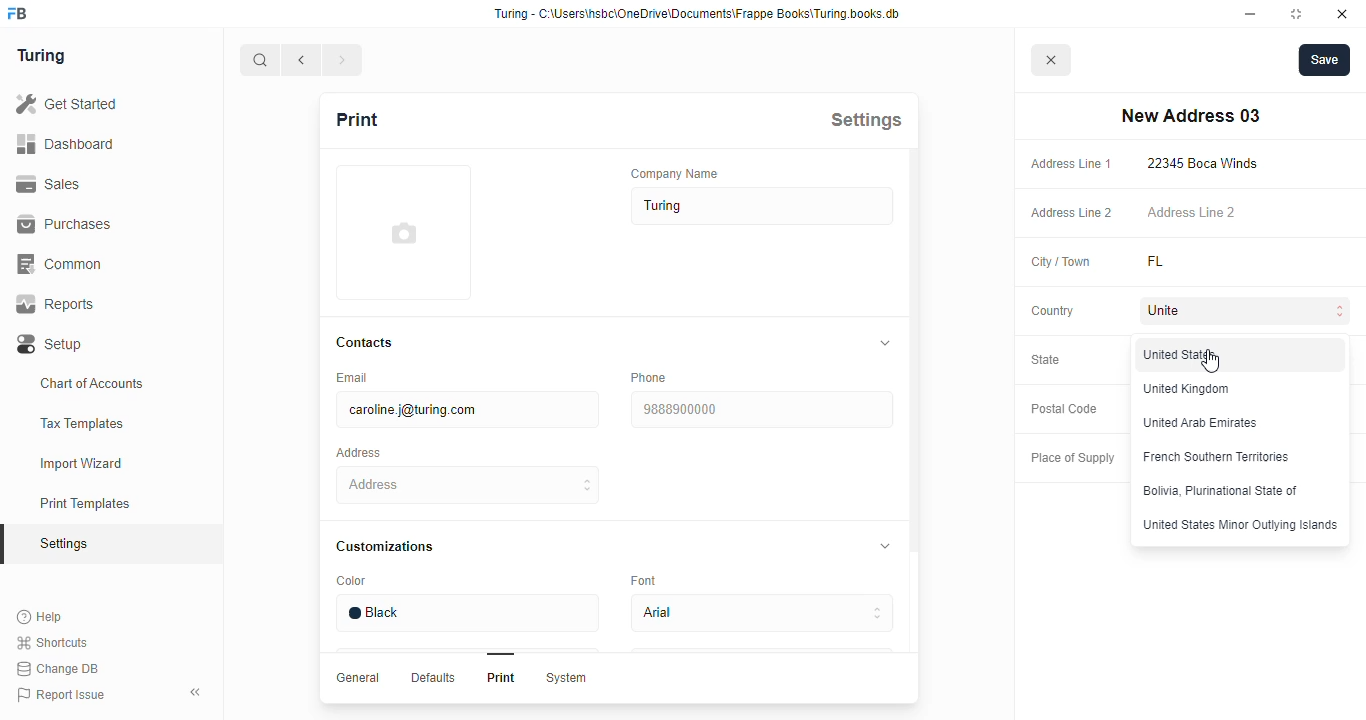 The width and height of the screenshot is (1366, 720). Describe the element at coordinates (351, 581) in the screenshot. I see `color` at that location.